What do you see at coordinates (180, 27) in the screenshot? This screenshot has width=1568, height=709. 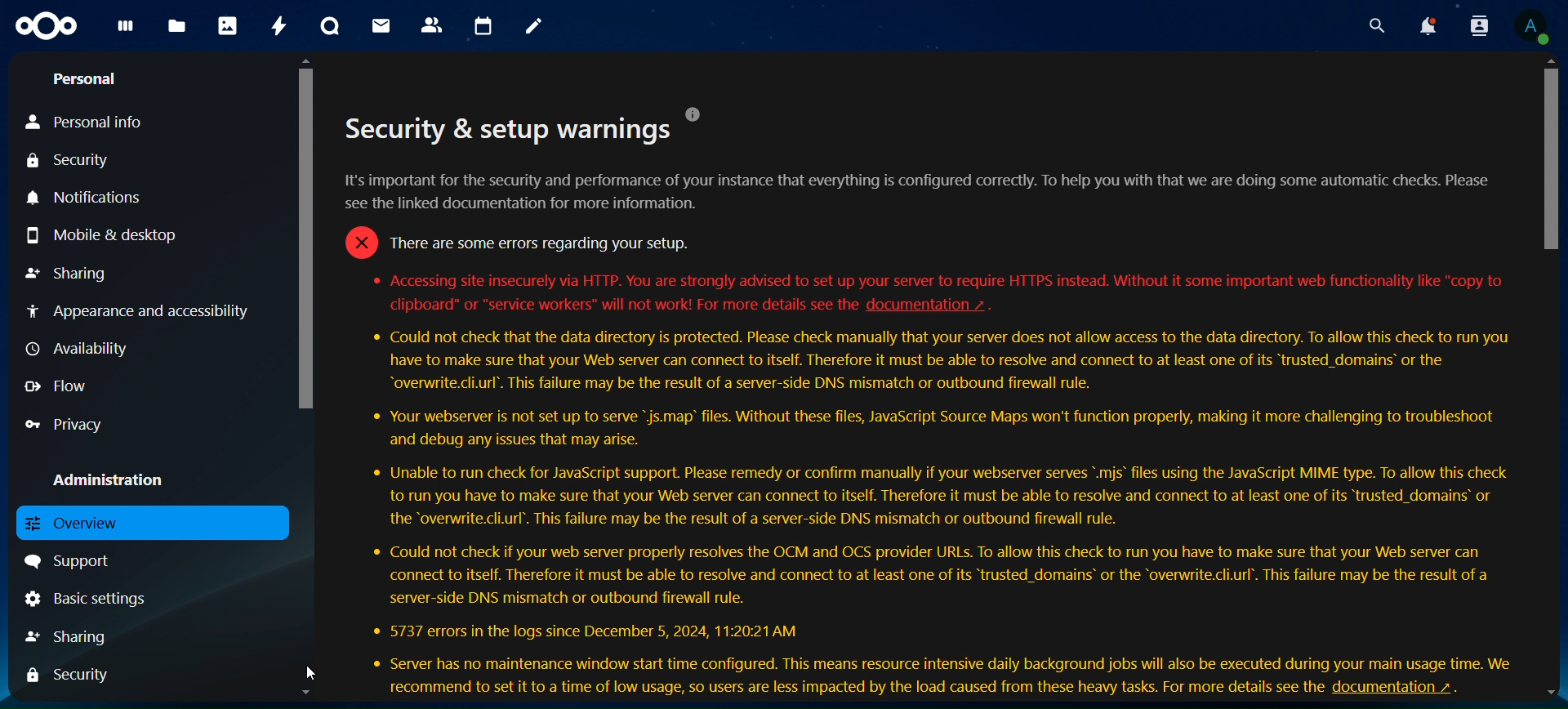 I see `files` at bounding box center [180, 27].